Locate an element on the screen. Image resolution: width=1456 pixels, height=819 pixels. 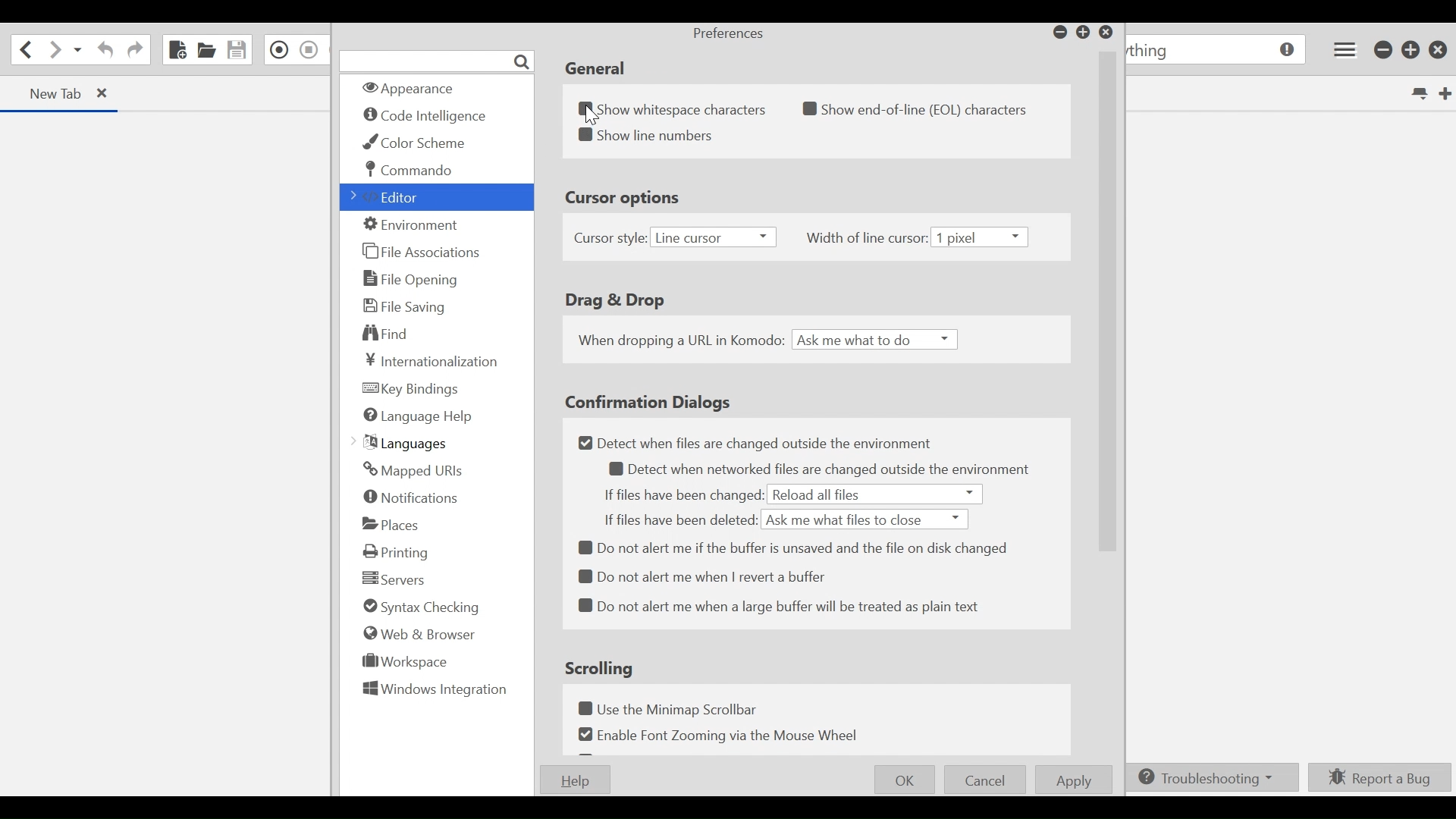
Printing is located at coordinates (395, 551).